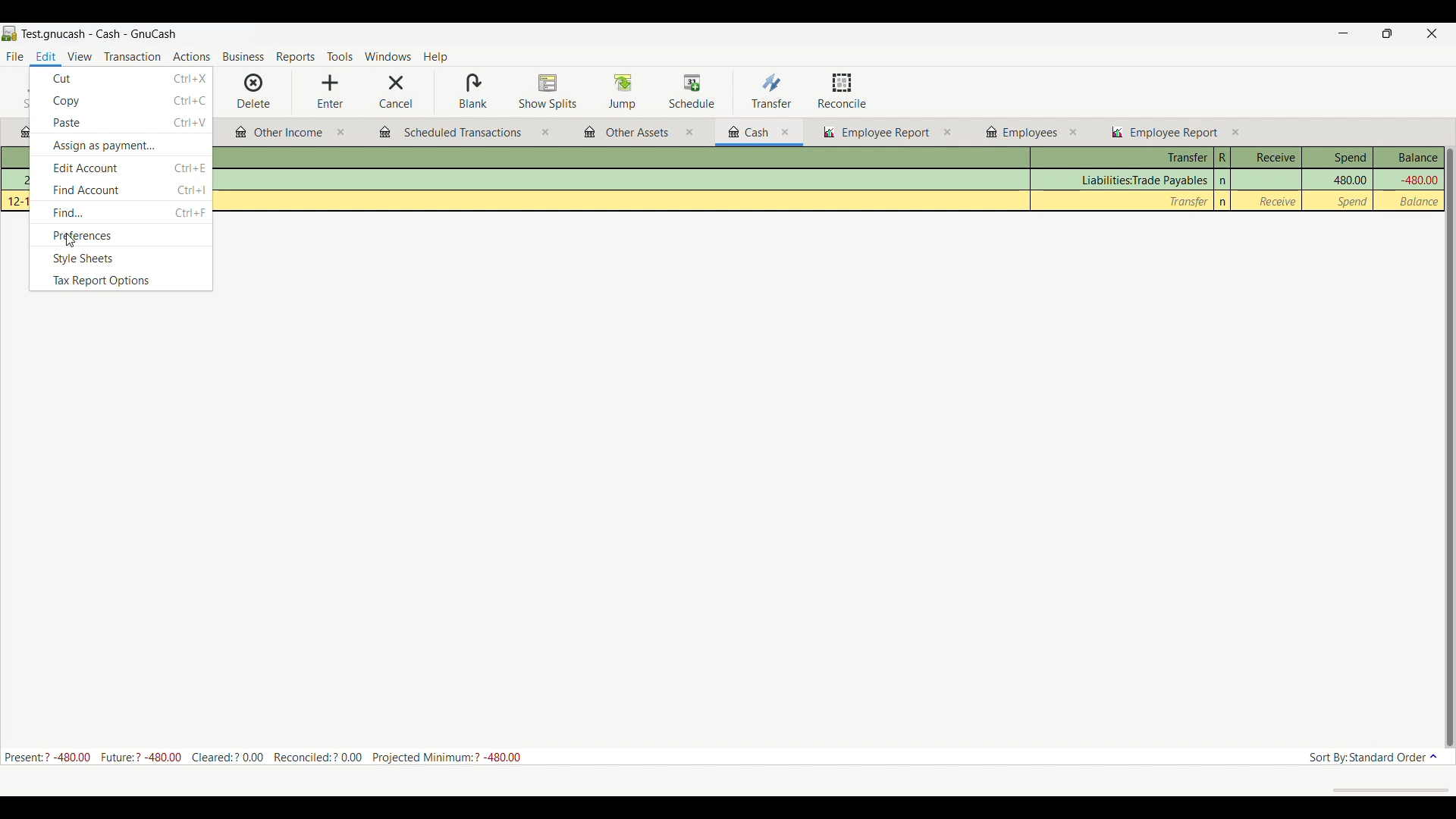 The image size is (1456, 819). Describe the element at coordinates (1432, 33) in the screenshot. I see `Close interface` at that location.